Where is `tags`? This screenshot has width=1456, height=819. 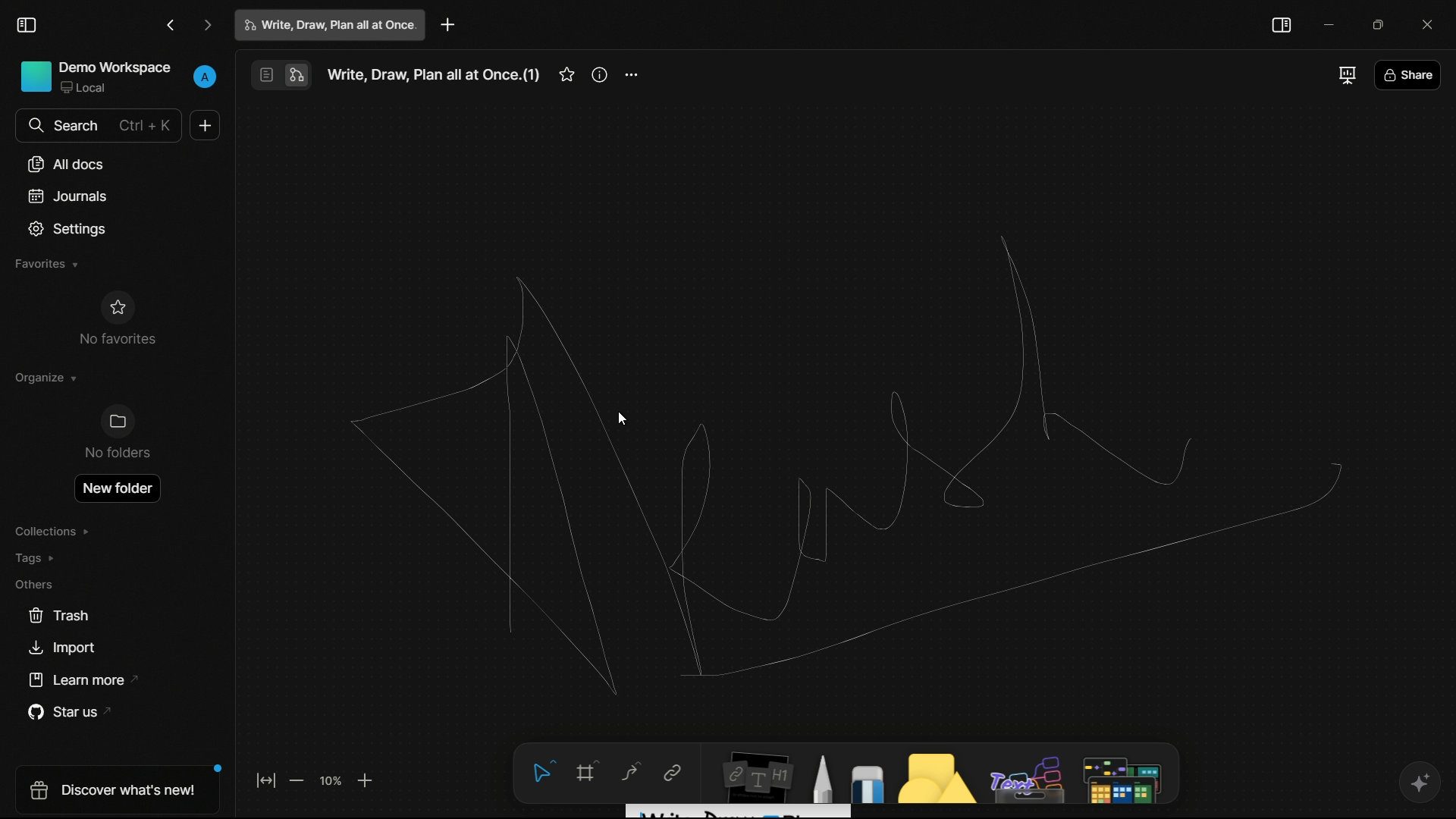 tags is located at coordinates (39, 559).